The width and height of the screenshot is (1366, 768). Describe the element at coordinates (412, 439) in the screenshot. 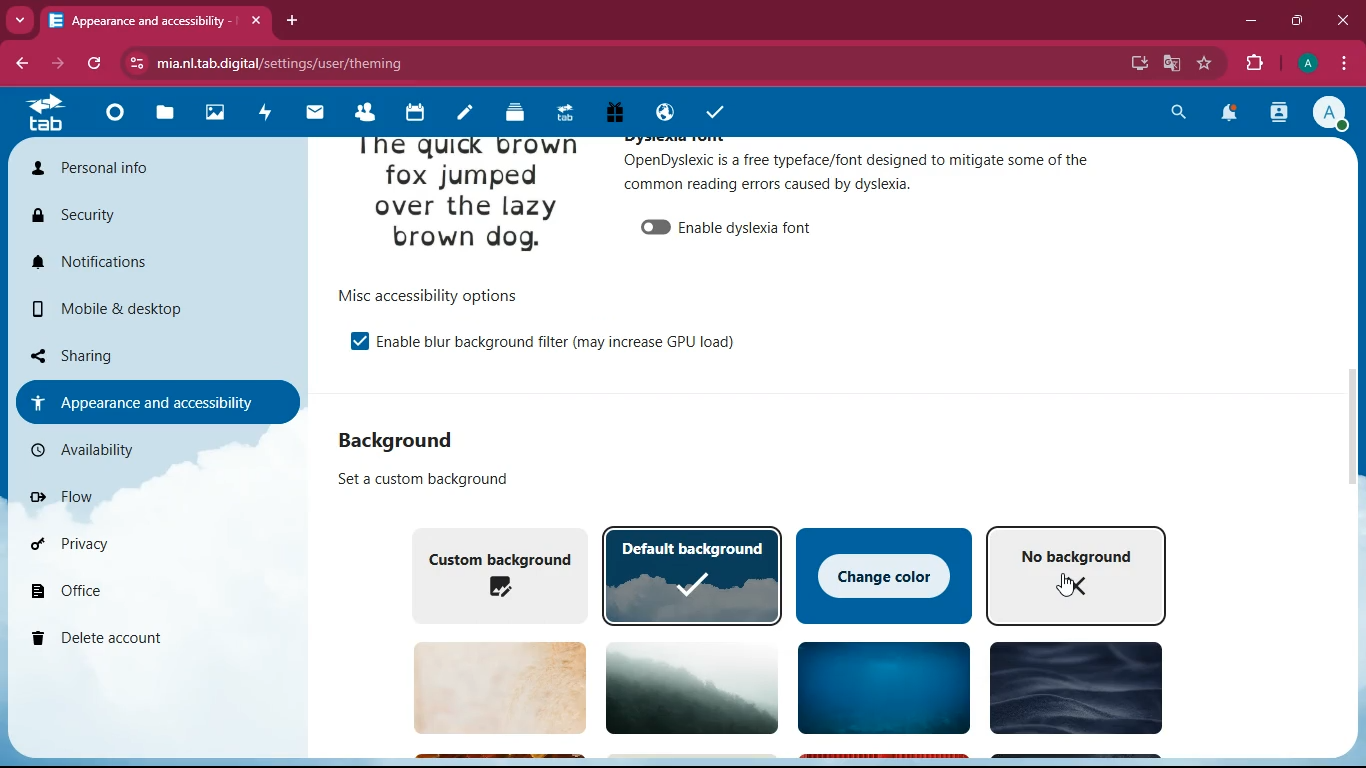

I see `background` at that location.